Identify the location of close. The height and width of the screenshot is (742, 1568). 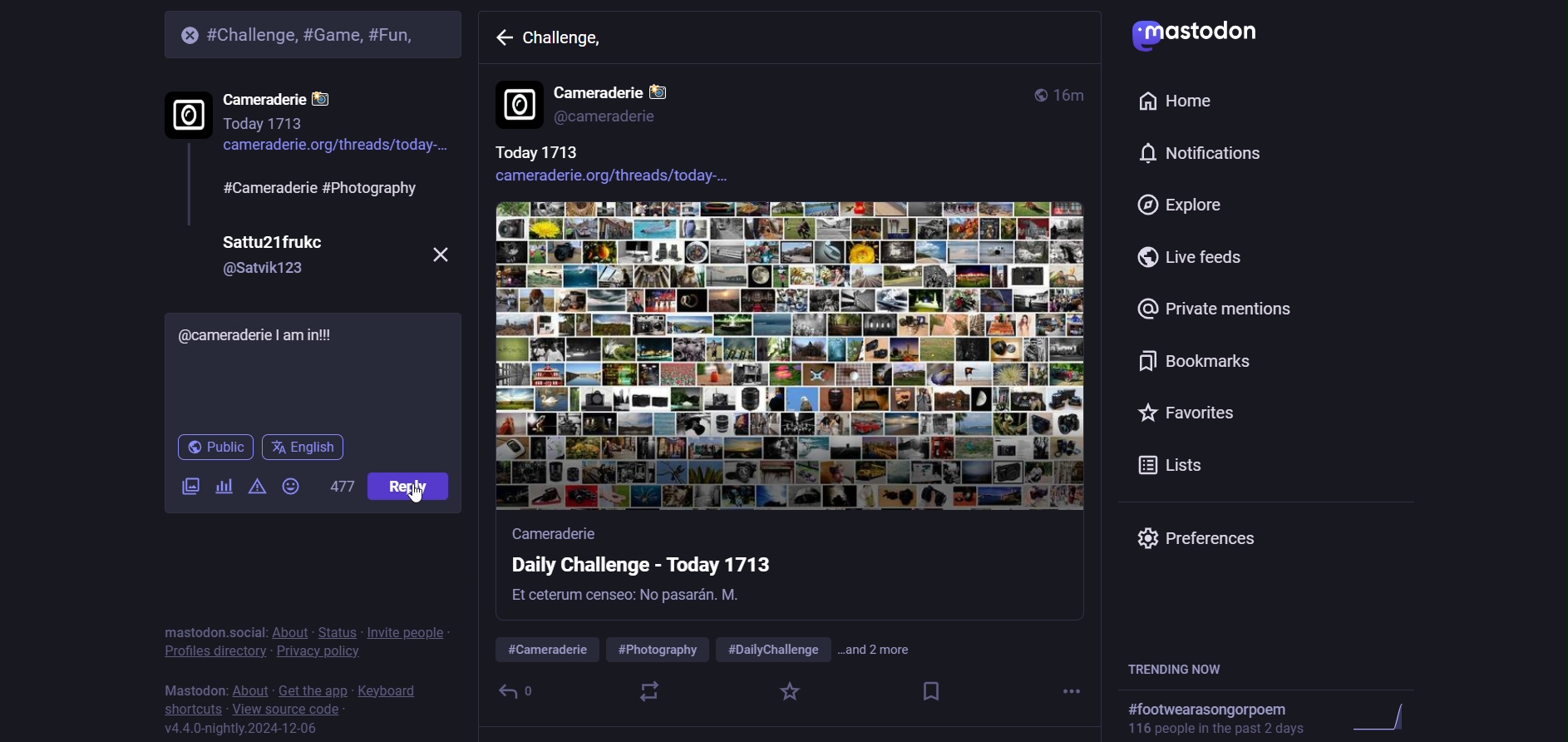
(443, 253).